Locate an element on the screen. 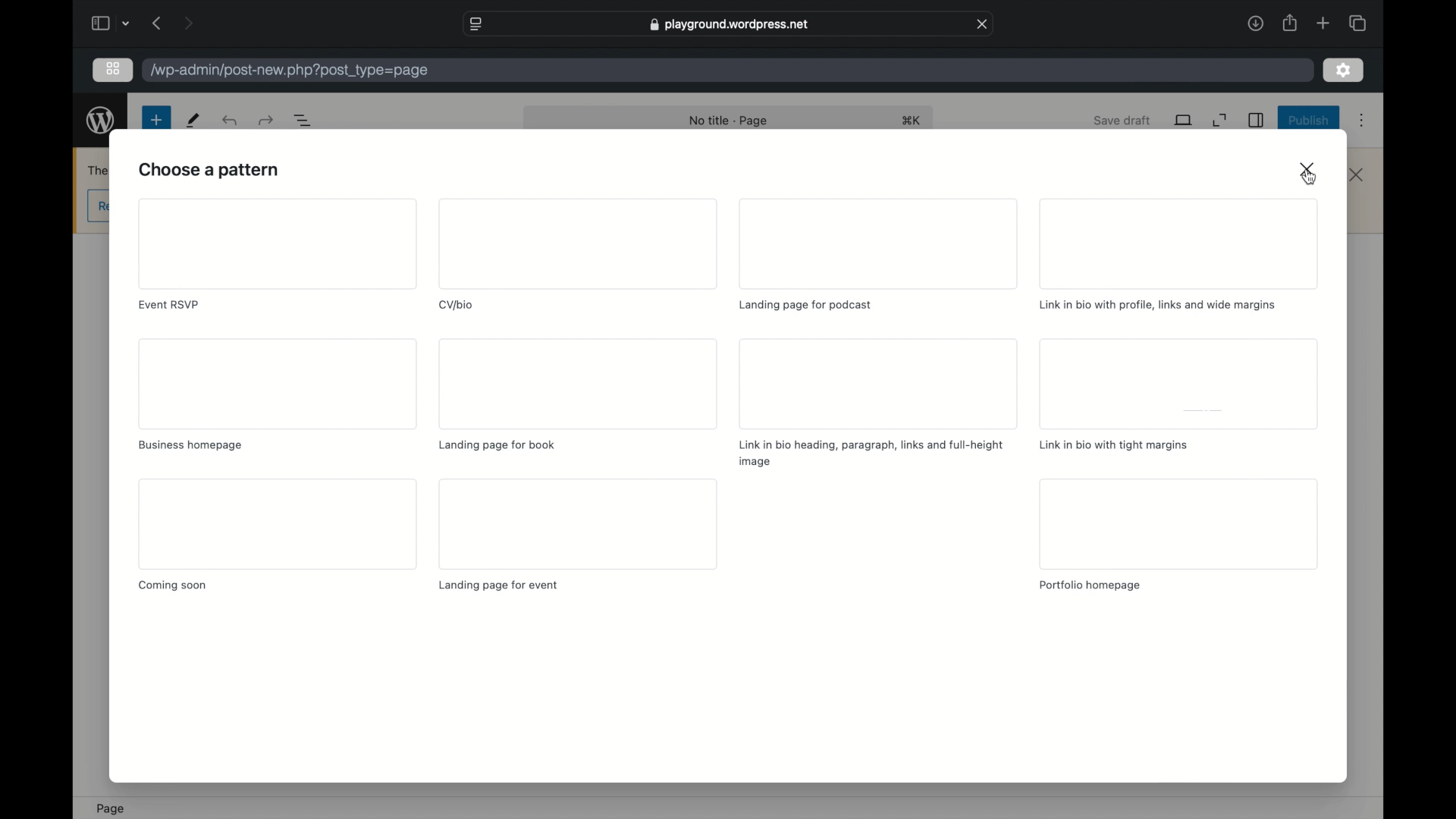 The height and width of the screenshot is (819, 1456). save draft is located at coordinates (1121, 120).